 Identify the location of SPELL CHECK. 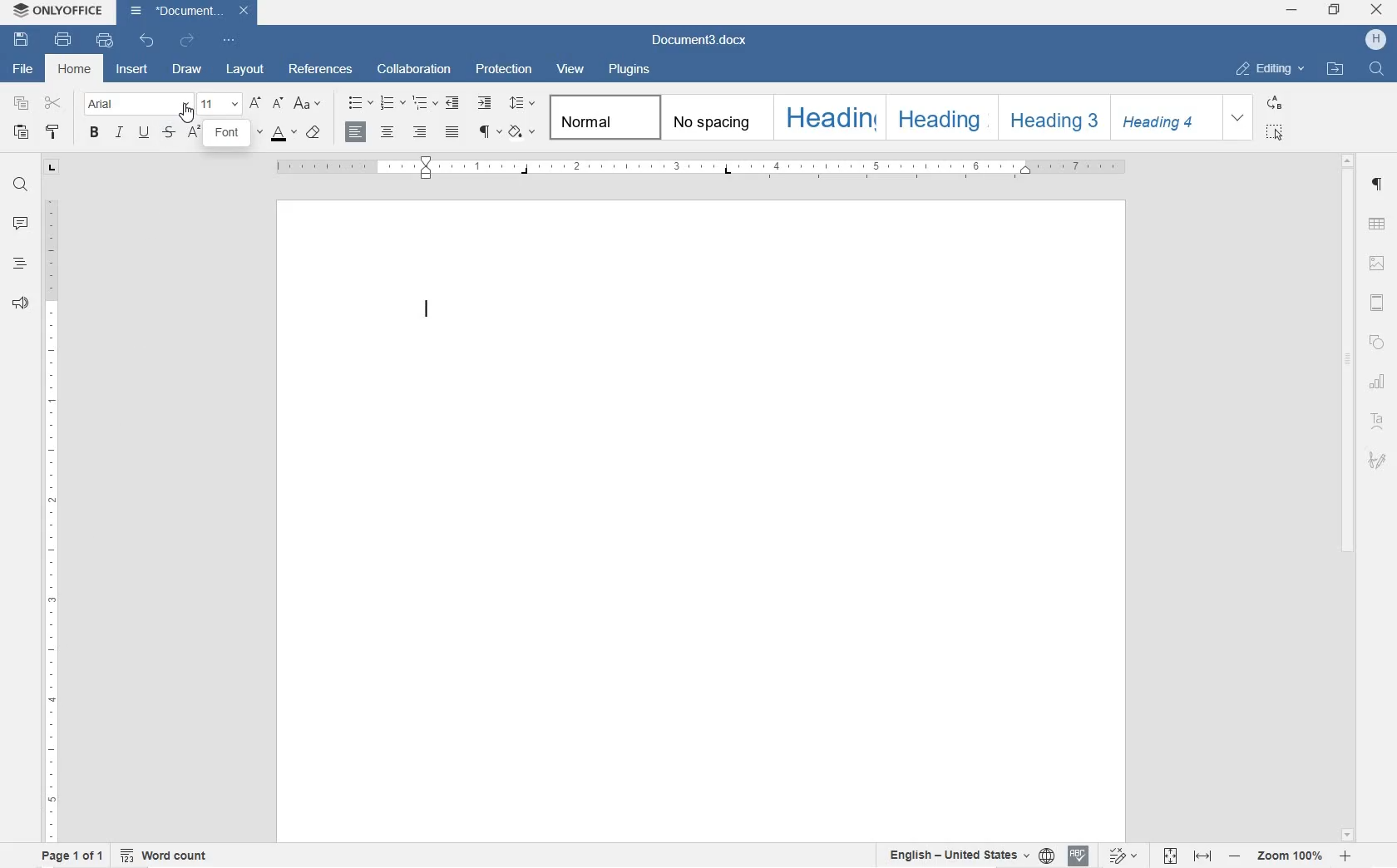
(1079, 856).